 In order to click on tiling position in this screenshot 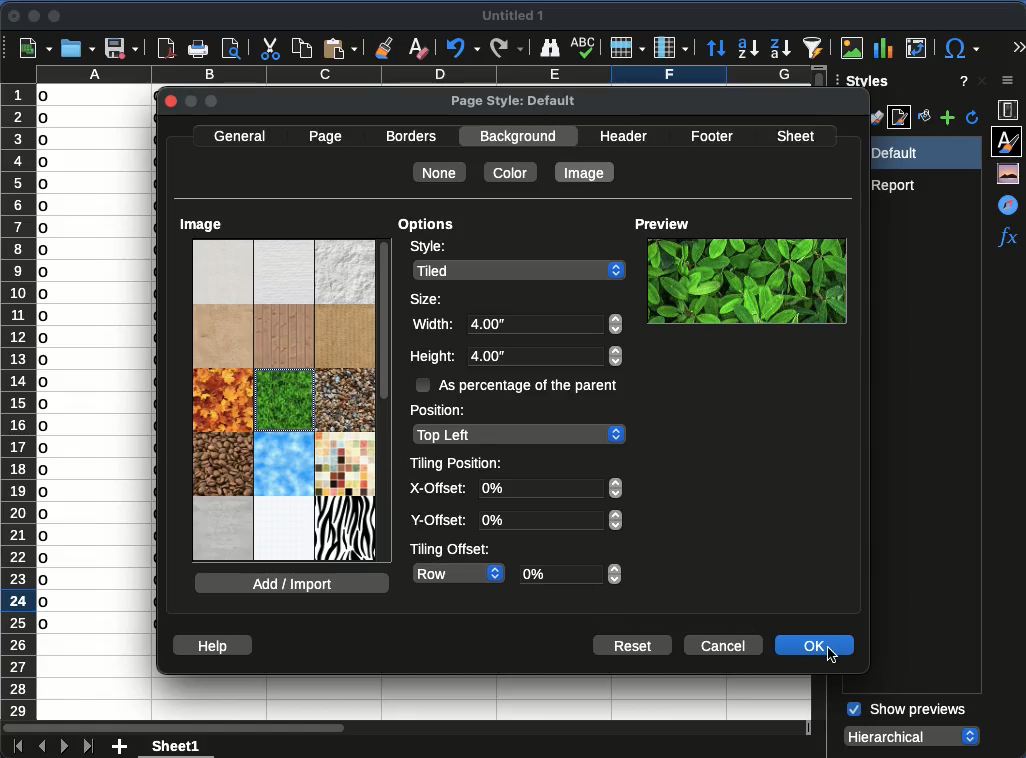, I will do `click(458, 464)`.